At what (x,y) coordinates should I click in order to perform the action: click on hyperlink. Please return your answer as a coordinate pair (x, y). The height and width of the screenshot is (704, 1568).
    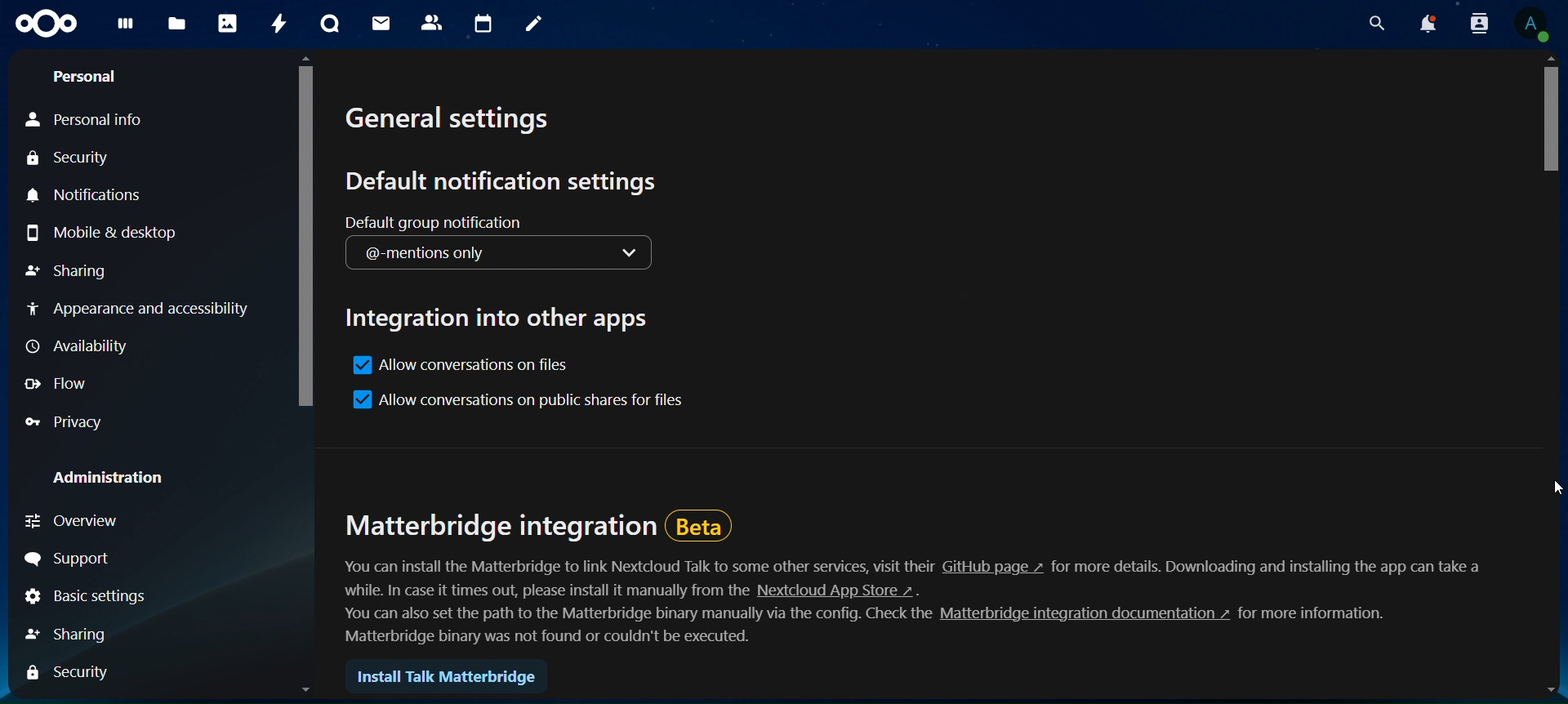
    Looking at the image, I should click on (1080, 616).